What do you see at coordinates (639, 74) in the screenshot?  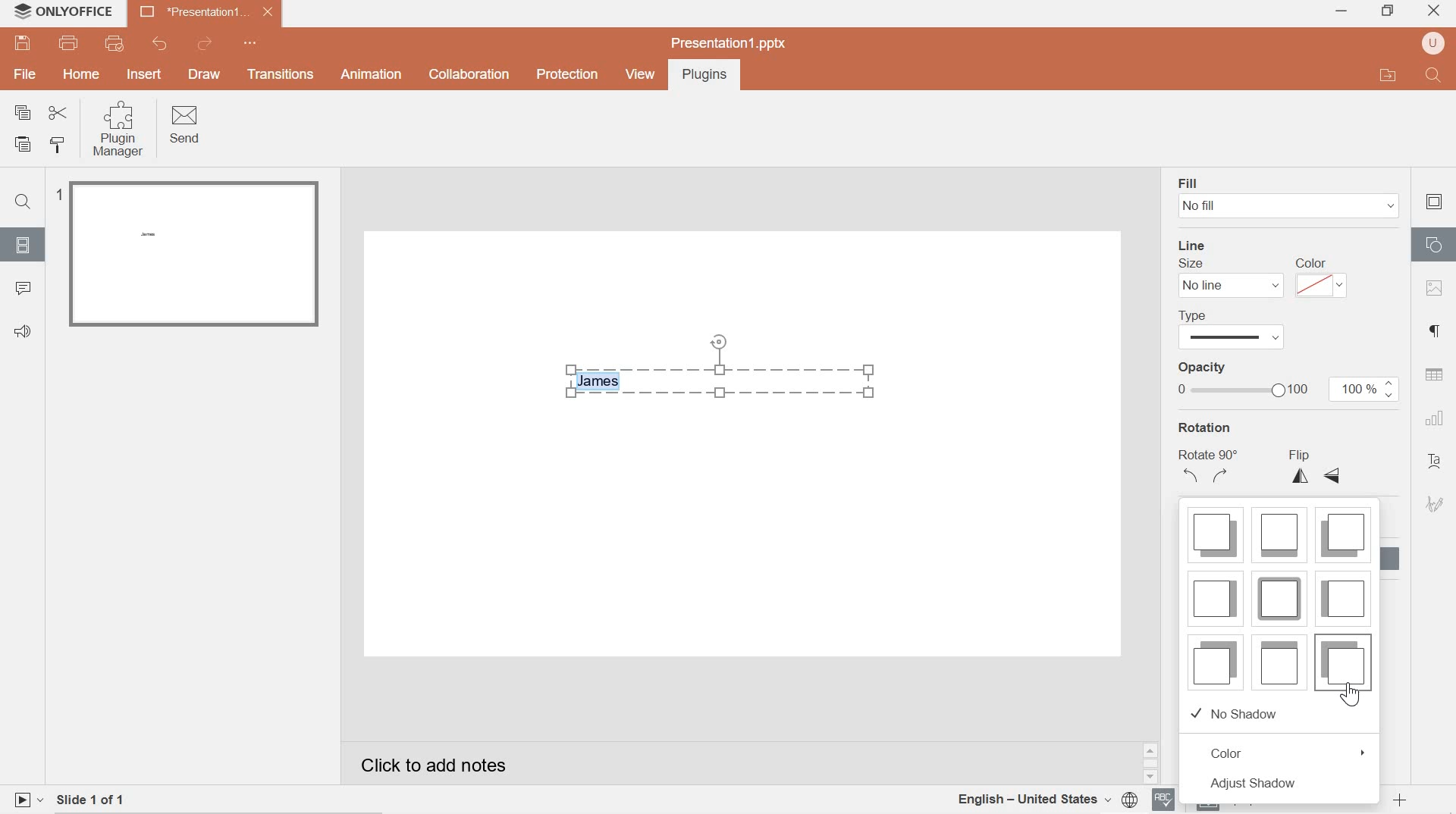 I see `view` at bounding box center [639, 74].